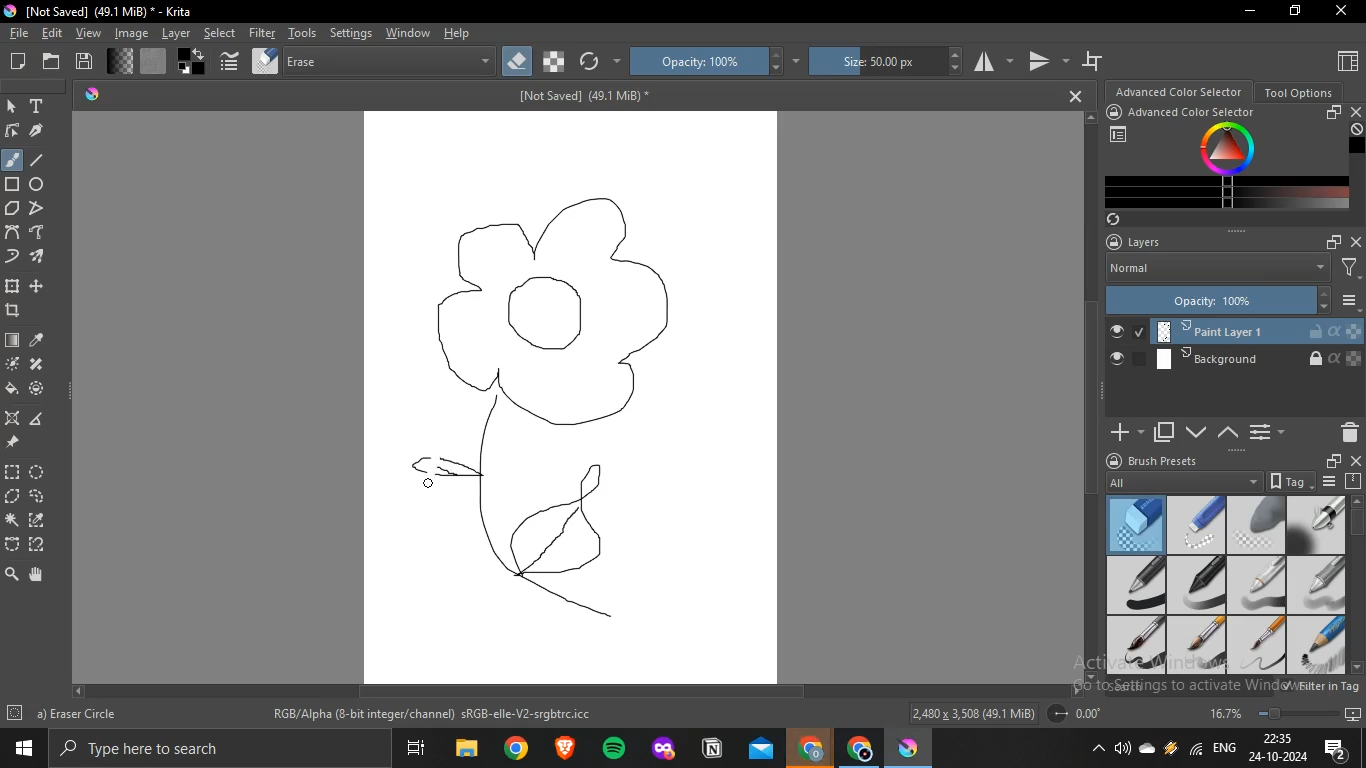  What do you see at coordinates (1357, 498) in the screenshot?
I see `Up` at bounding box center [1357, 498].